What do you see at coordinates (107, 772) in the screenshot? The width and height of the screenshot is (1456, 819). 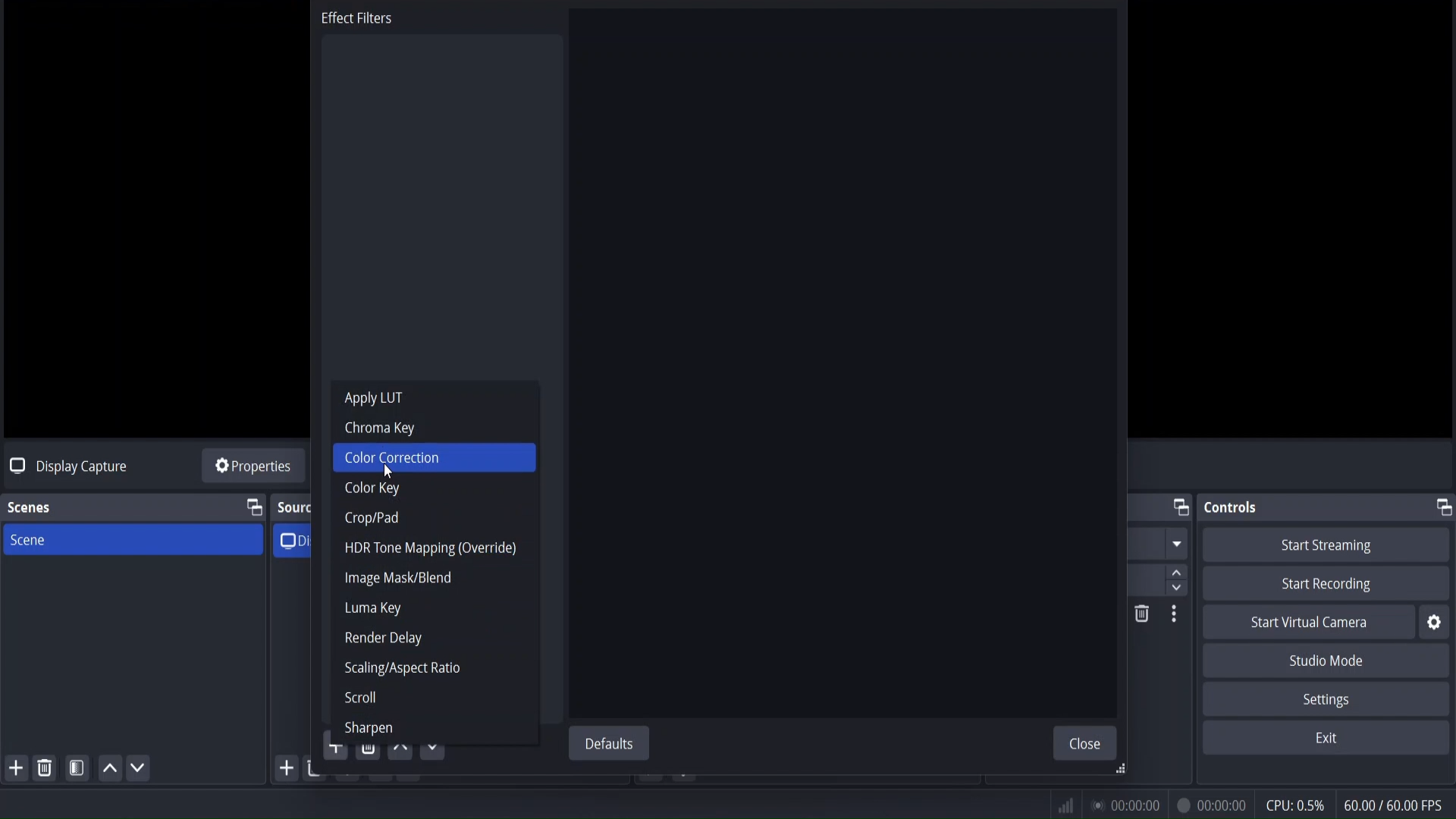 I see `UP` at bounding box center [107, 772].